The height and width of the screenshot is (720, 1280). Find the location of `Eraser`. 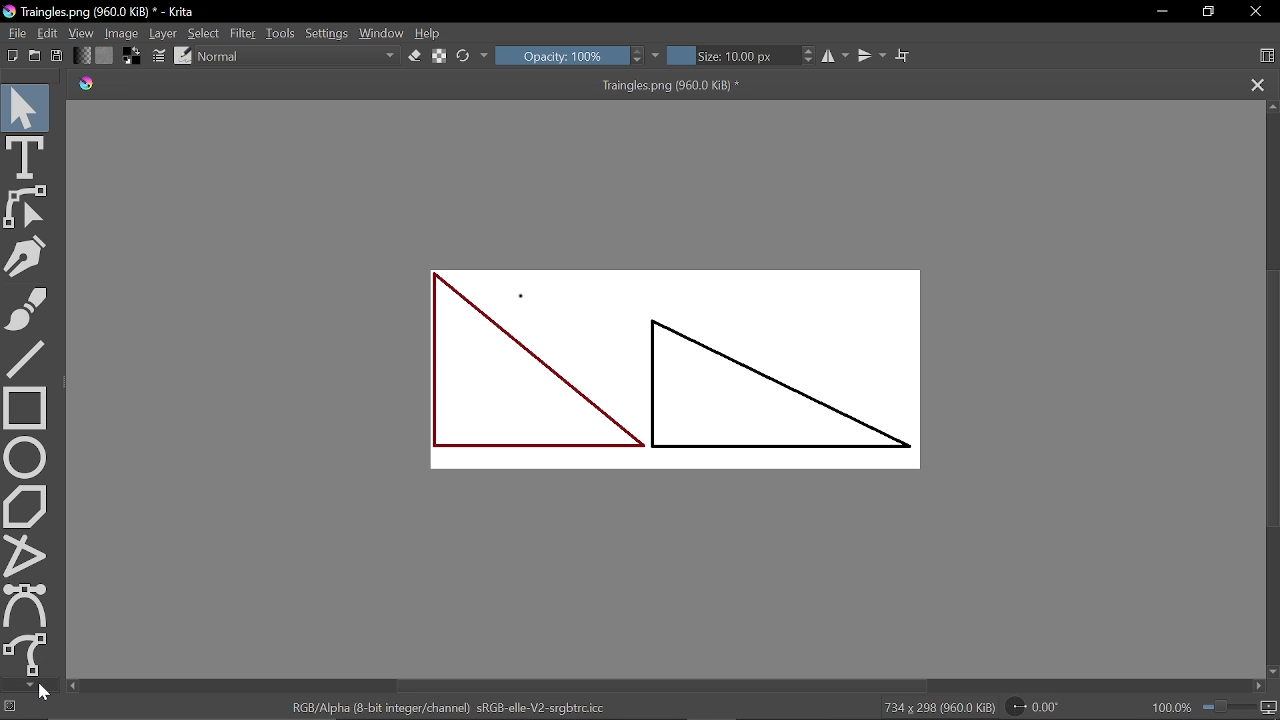

Eraser is located at coordinates (414, 57).